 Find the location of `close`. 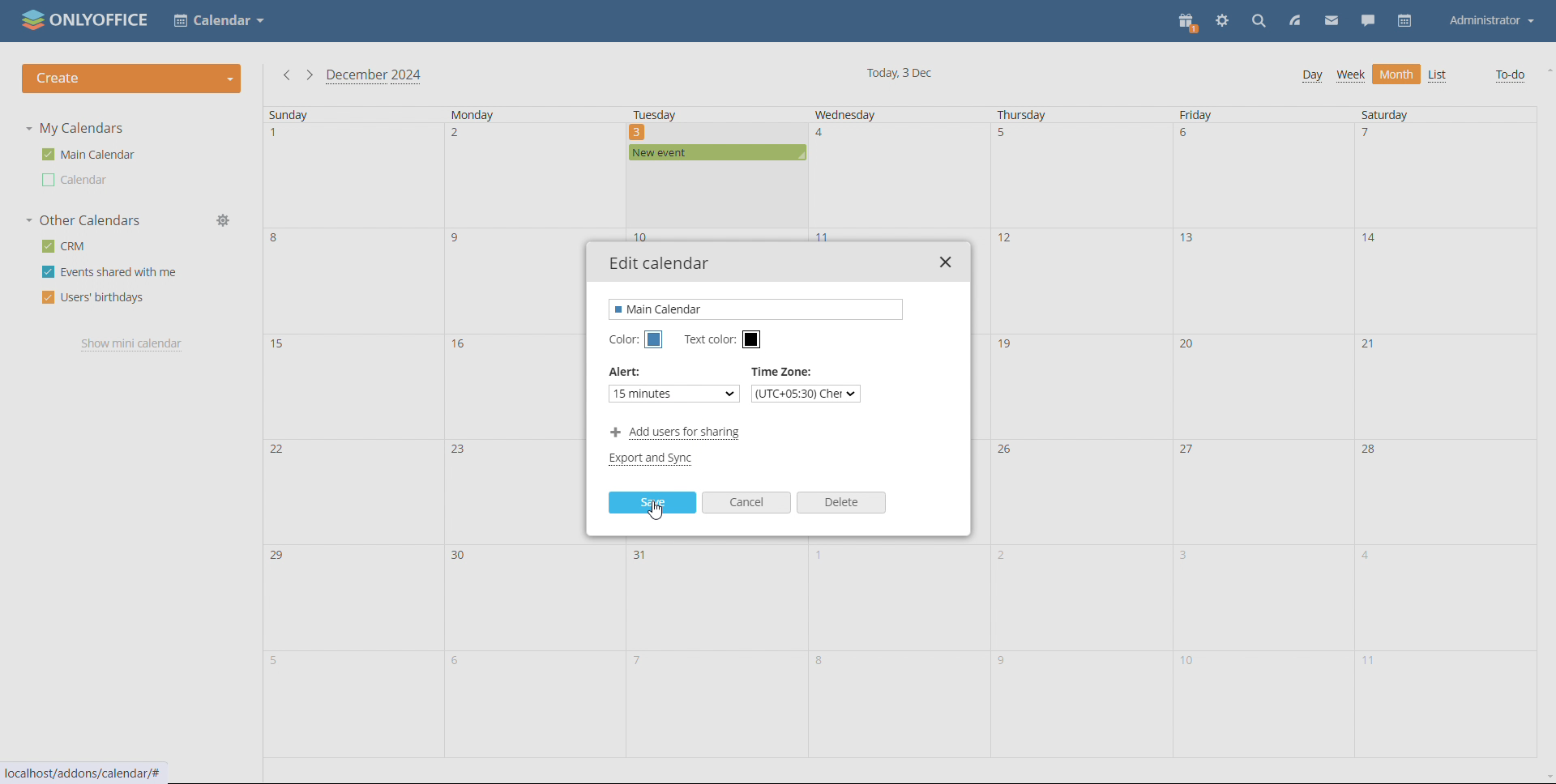

close is located at coordinates (945, 262).